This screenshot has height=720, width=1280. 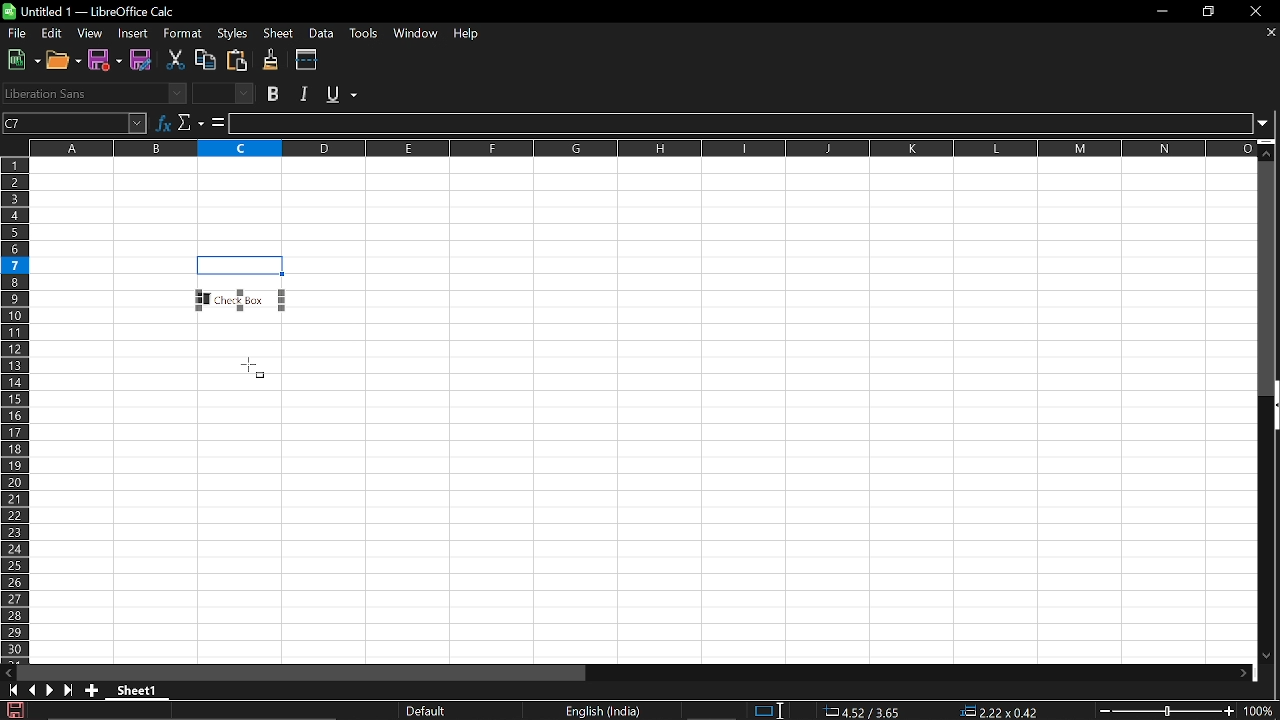 I want to click on Move down, so click(x=1269, y=149).